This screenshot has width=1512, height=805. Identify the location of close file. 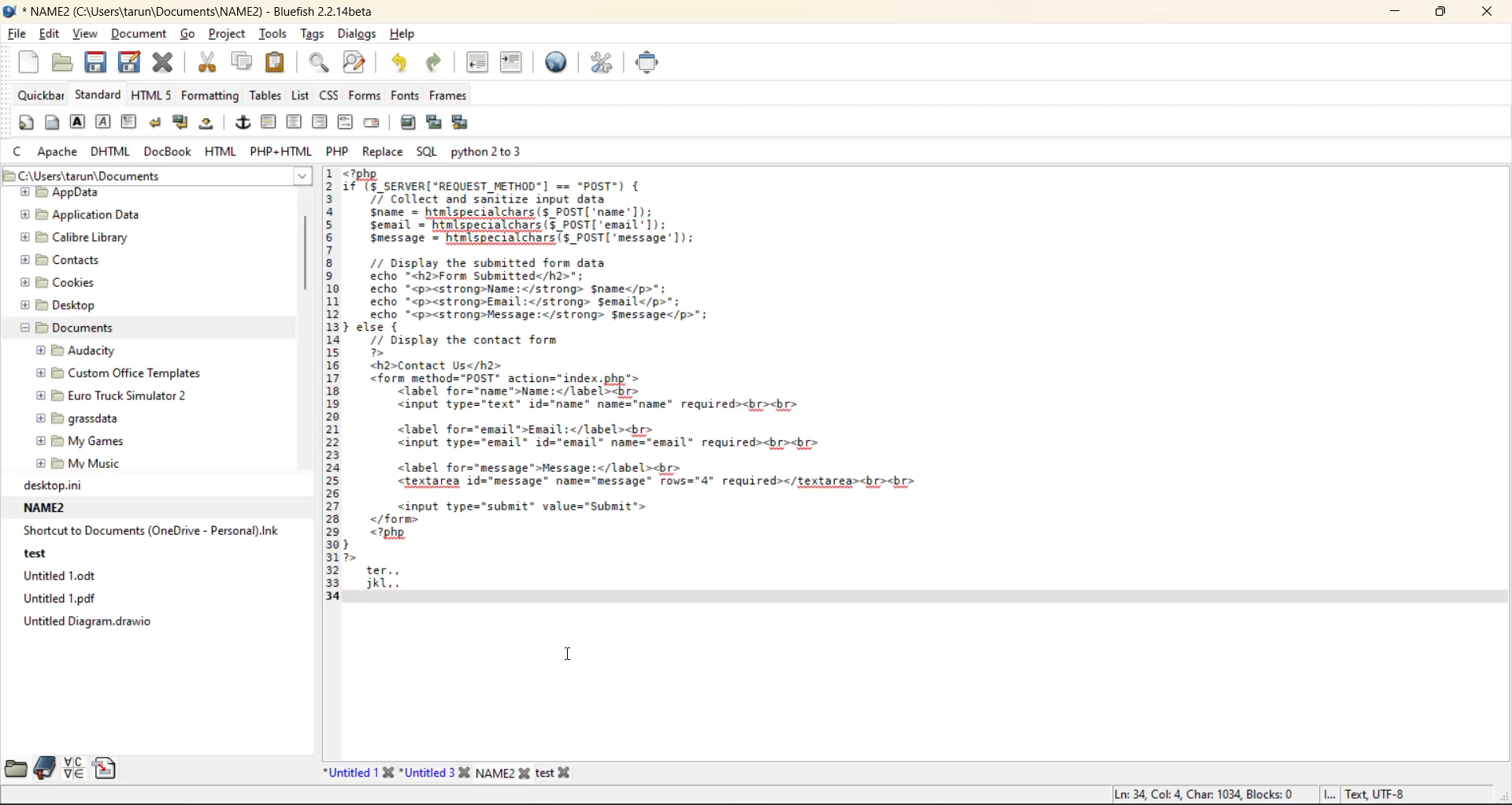
(163, 65).